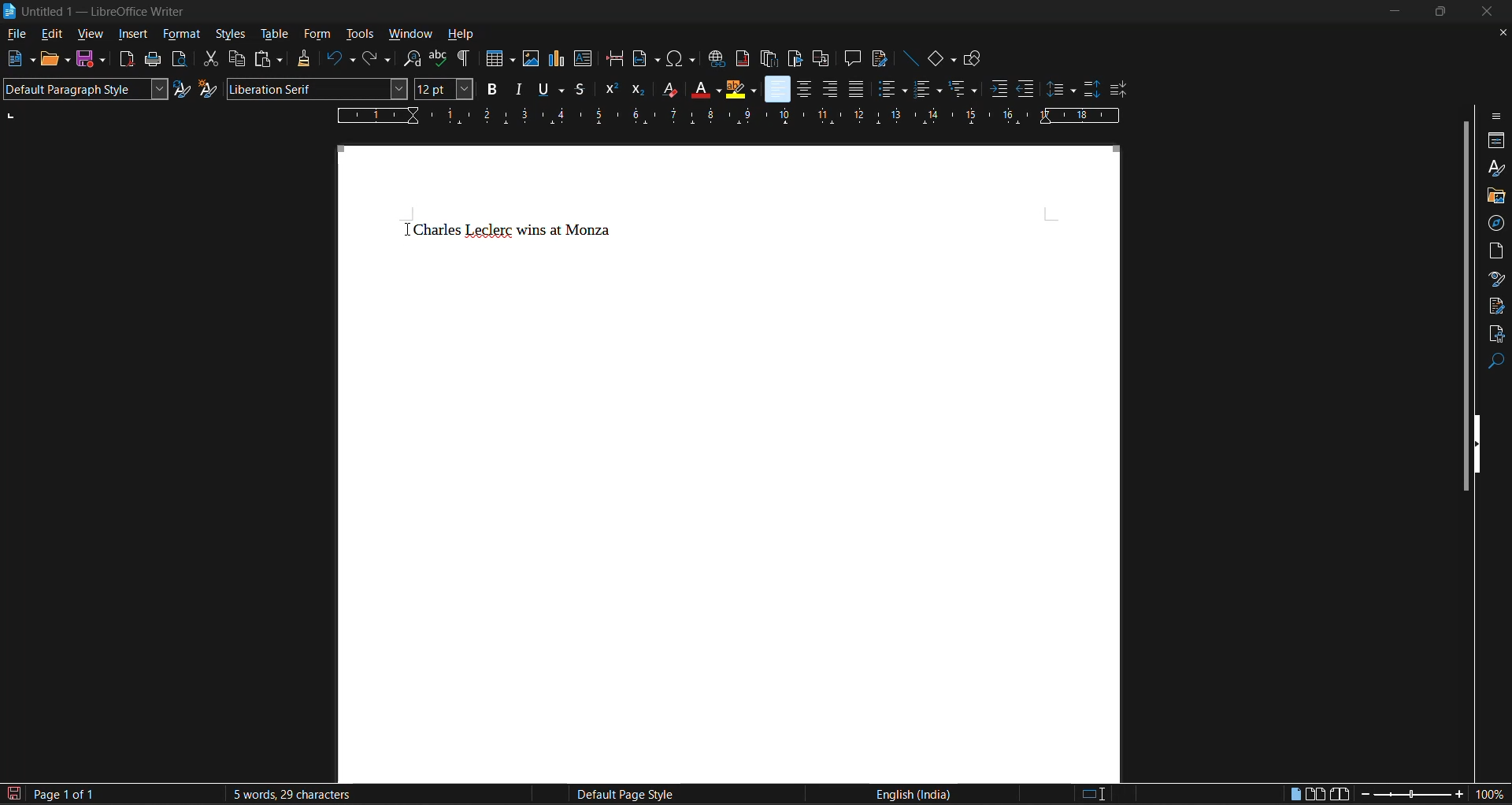  What do you see at coordinates (208, 88) in the screenshot?
I see `new style from selection` at bounding box center [208, 88].